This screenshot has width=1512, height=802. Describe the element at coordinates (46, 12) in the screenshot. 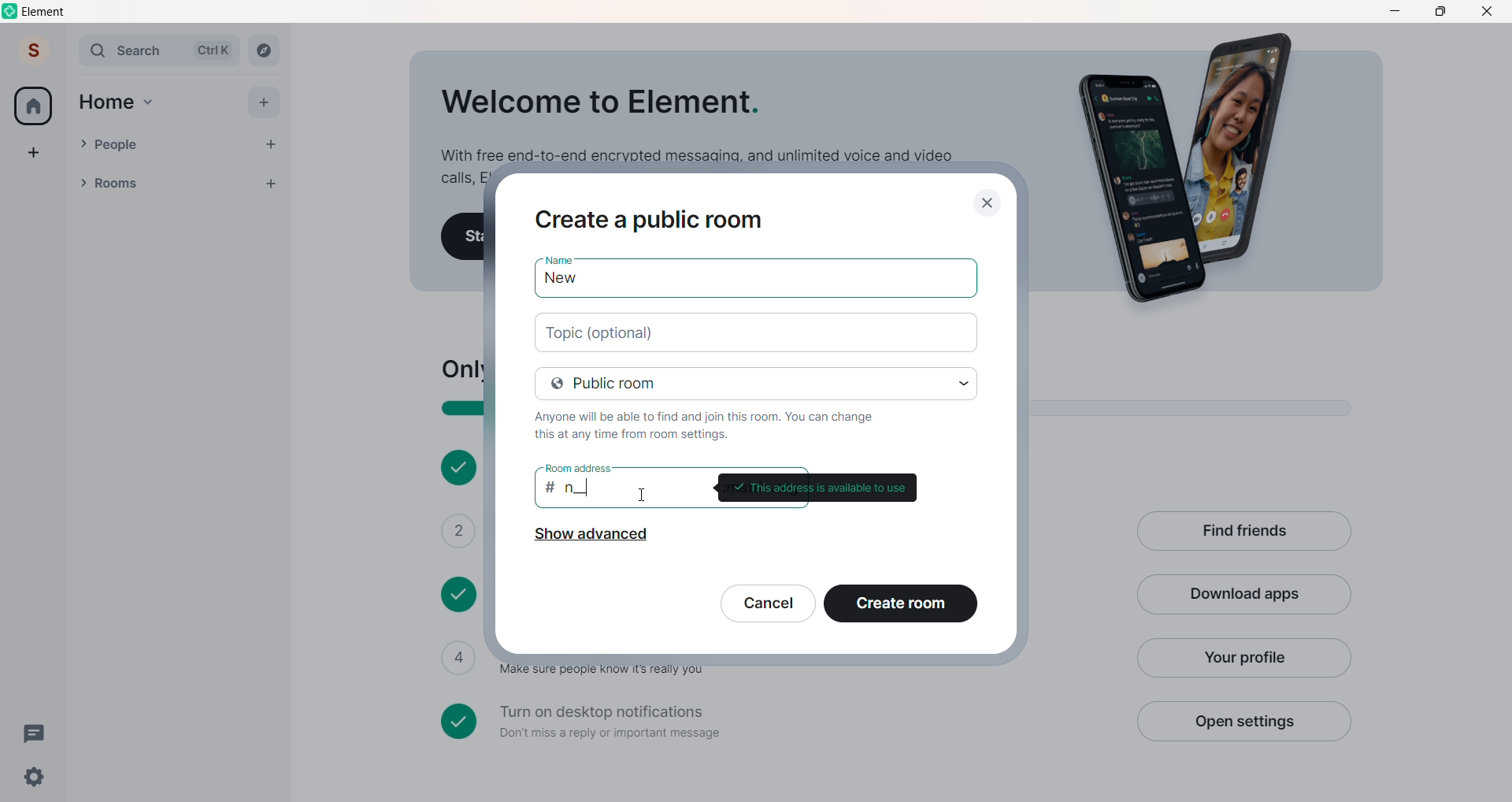

I see `Element` at that location.